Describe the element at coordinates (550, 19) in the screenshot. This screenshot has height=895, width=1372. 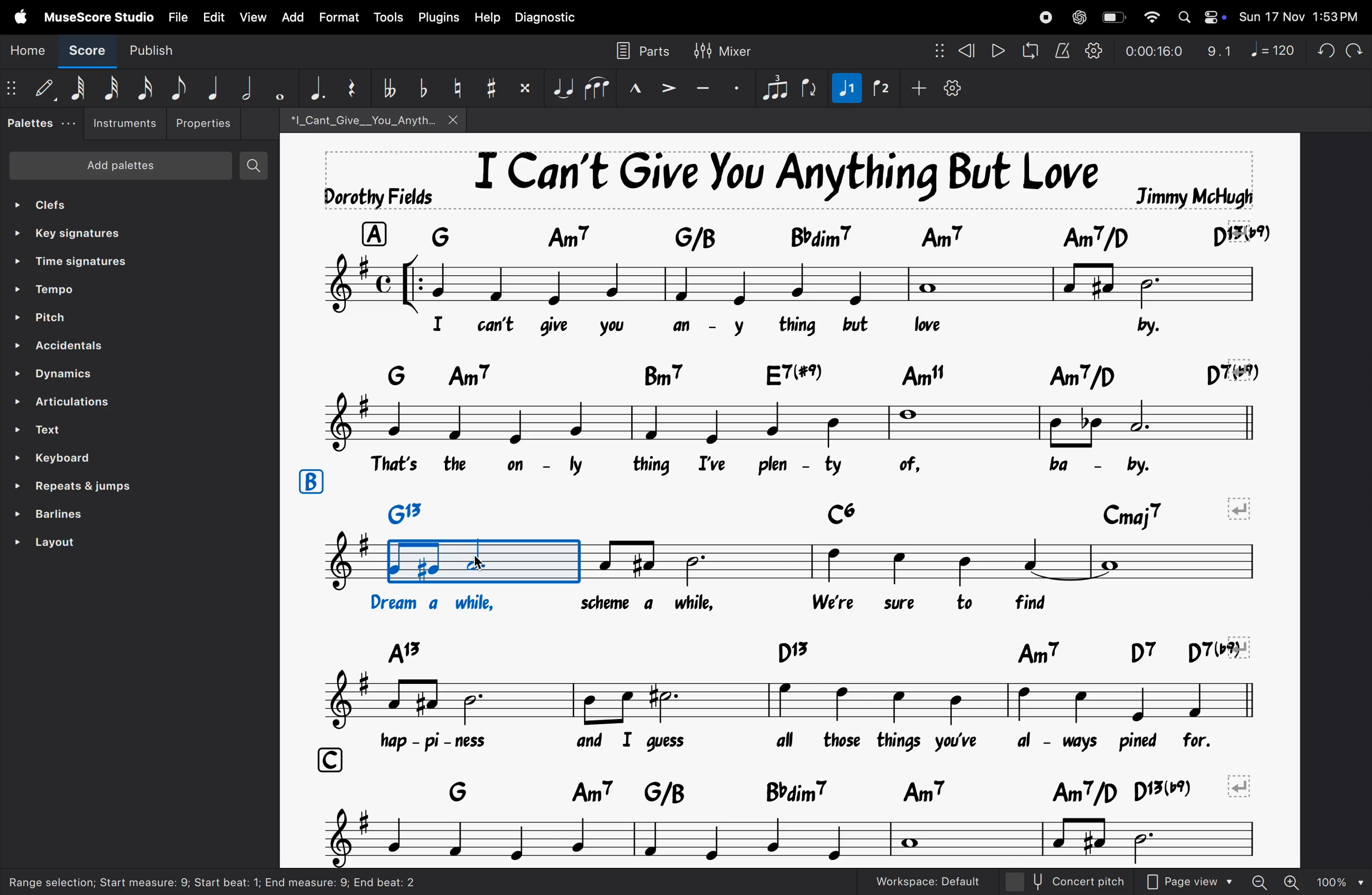
I see `diagnostic` at that location.